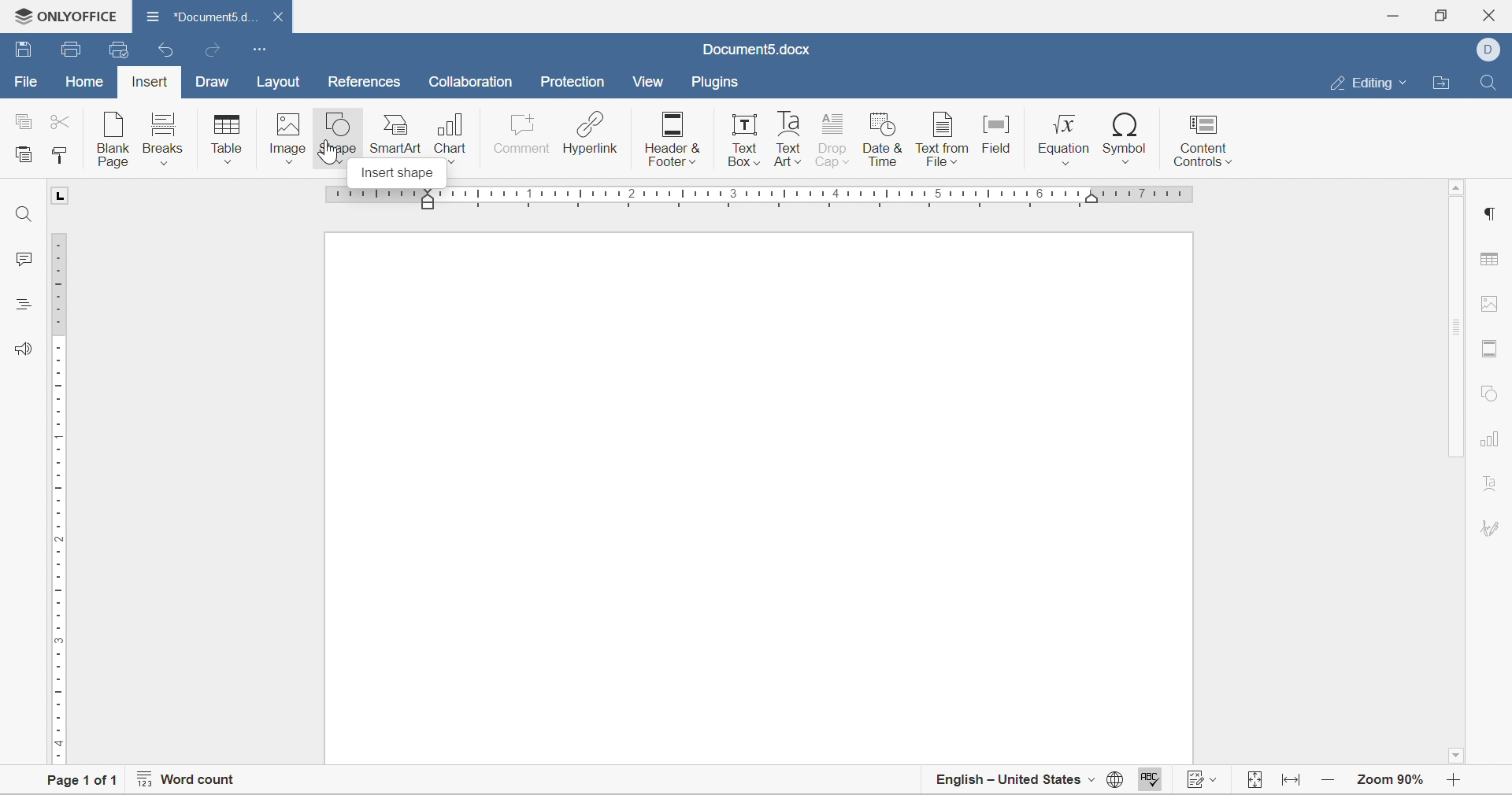 The width and height of the screenshot is (1512, 795). Describe the element at coordinates (1015, 778) in the screenshot. I see `english - united states` at that location.